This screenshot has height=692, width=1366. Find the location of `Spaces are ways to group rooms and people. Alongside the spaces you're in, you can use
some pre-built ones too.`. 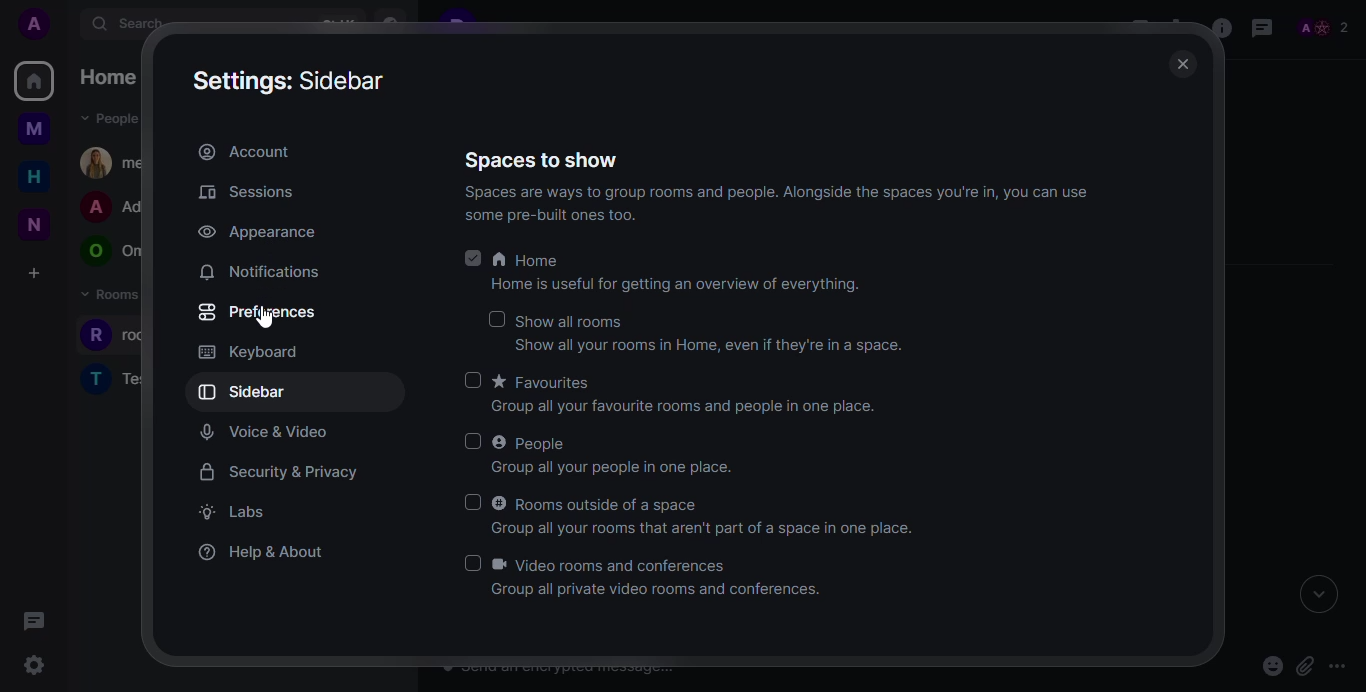

Spaces are ways to group rooms and people. Alongside the spaces you're in, you can use
some pre-built ones too. is located at coordinates (765, 205).